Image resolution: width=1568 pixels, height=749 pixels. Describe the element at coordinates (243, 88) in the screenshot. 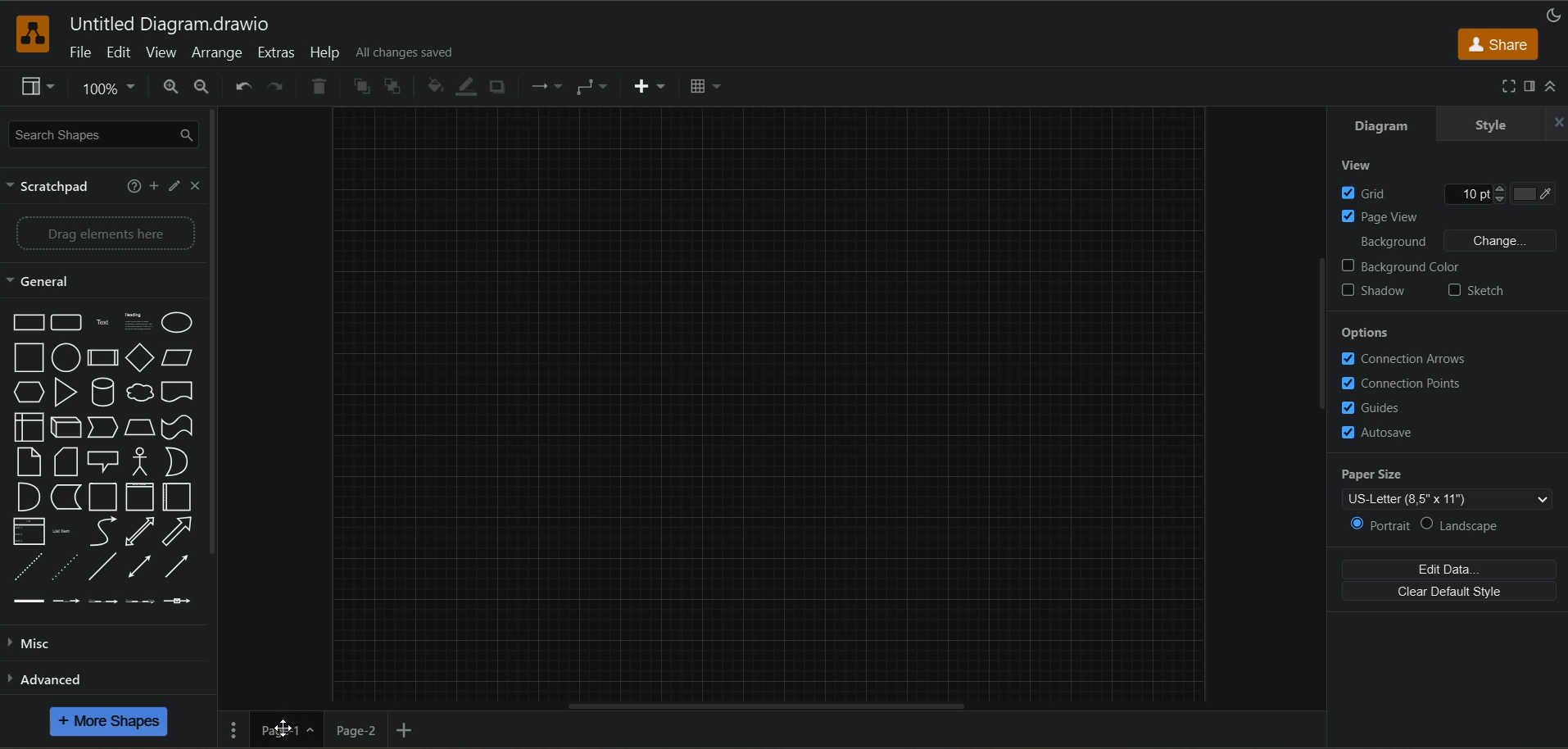

I see `undo` at that location.